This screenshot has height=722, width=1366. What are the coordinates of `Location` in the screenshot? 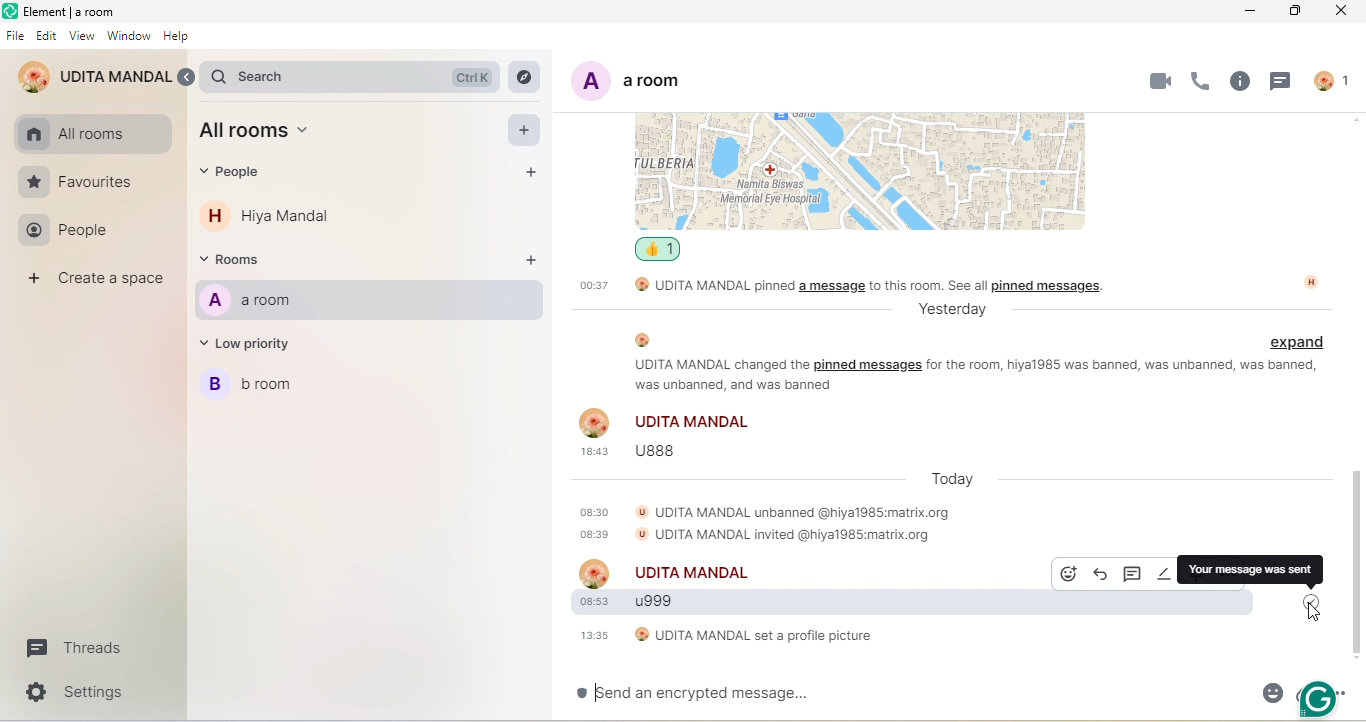 It's located at (863, 173).